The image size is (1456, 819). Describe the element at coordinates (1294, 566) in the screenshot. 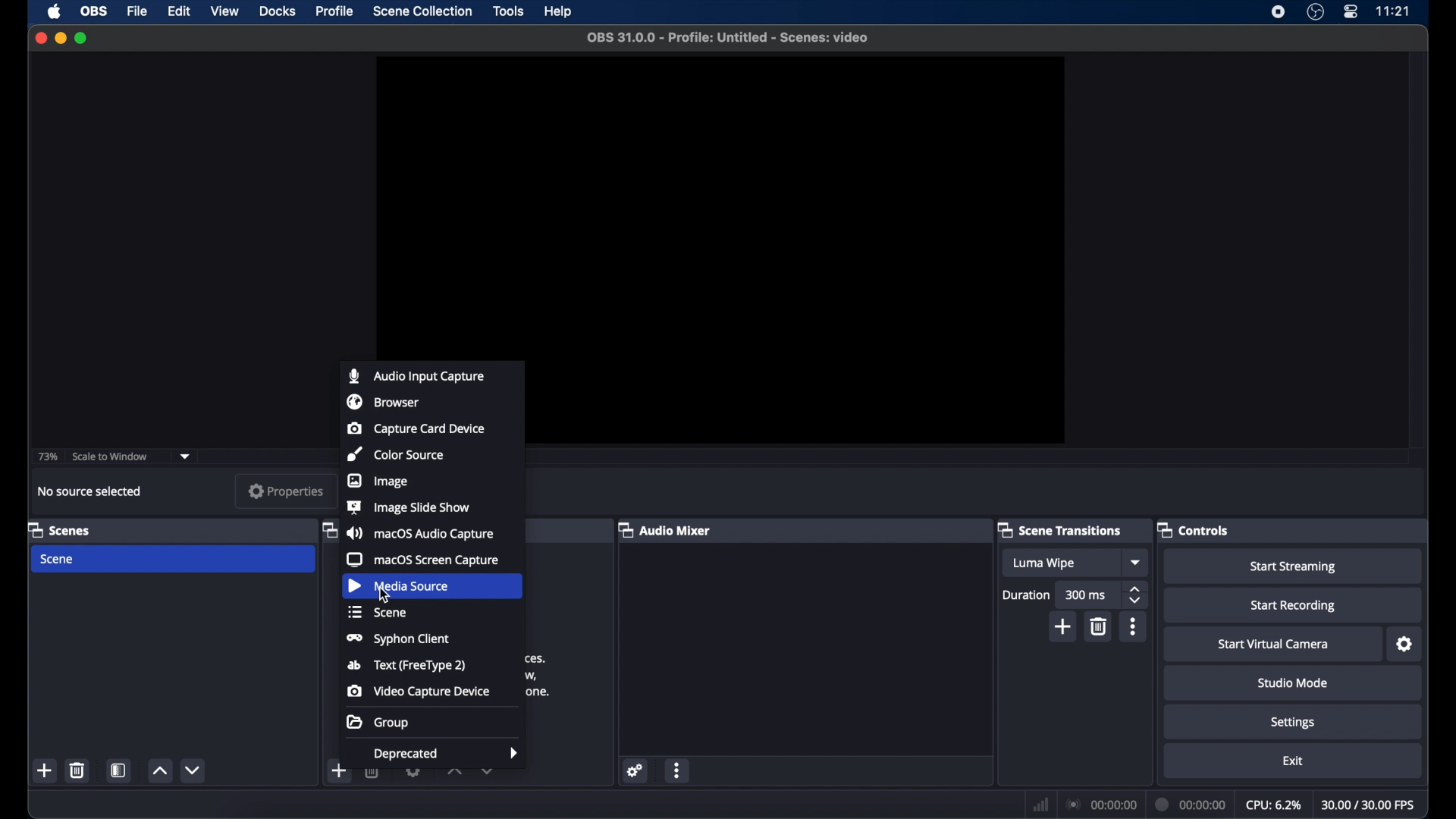

I see `start streaming` at that location.